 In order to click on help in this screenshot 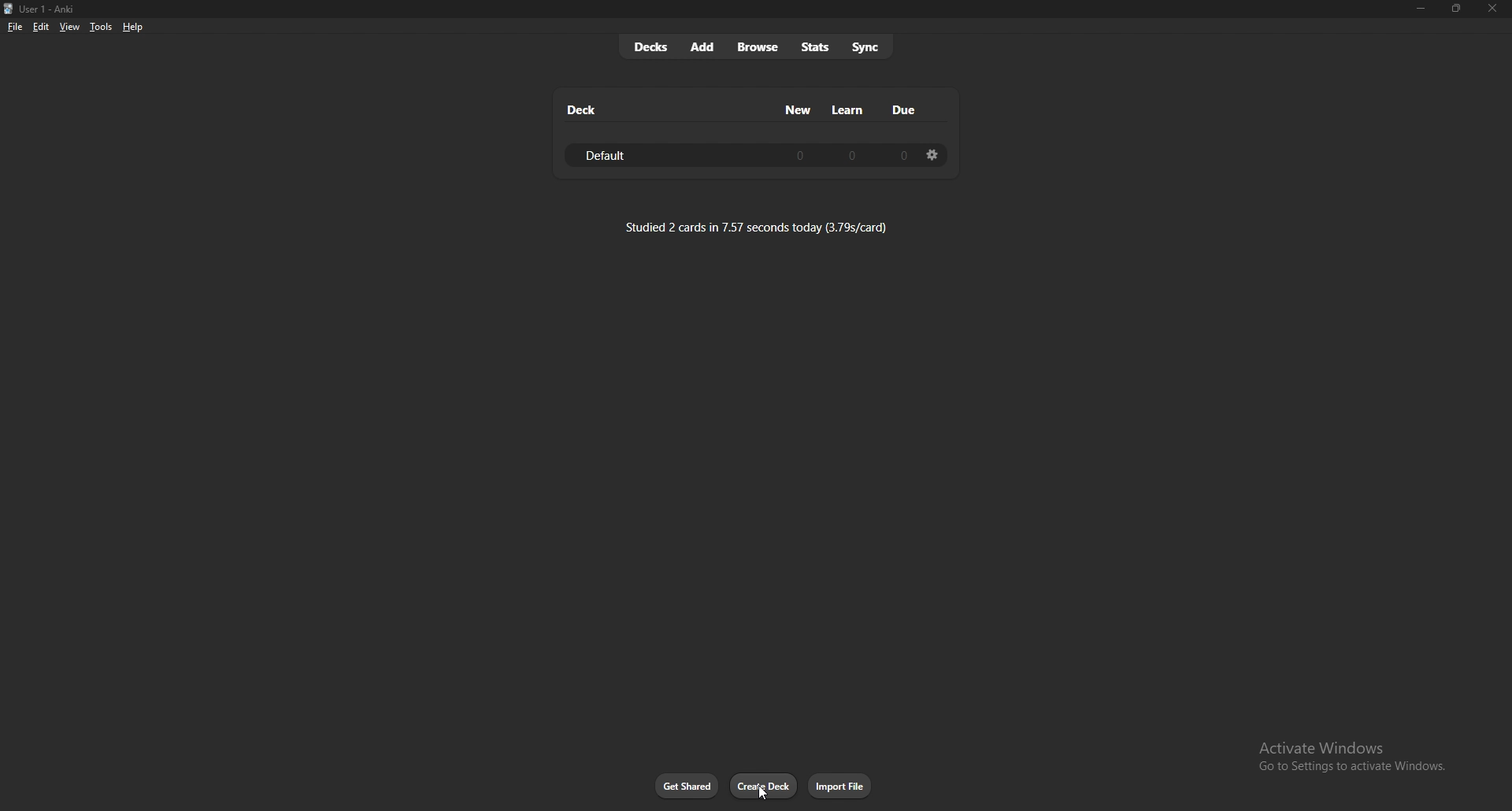, I will do `click(132, 28)`.